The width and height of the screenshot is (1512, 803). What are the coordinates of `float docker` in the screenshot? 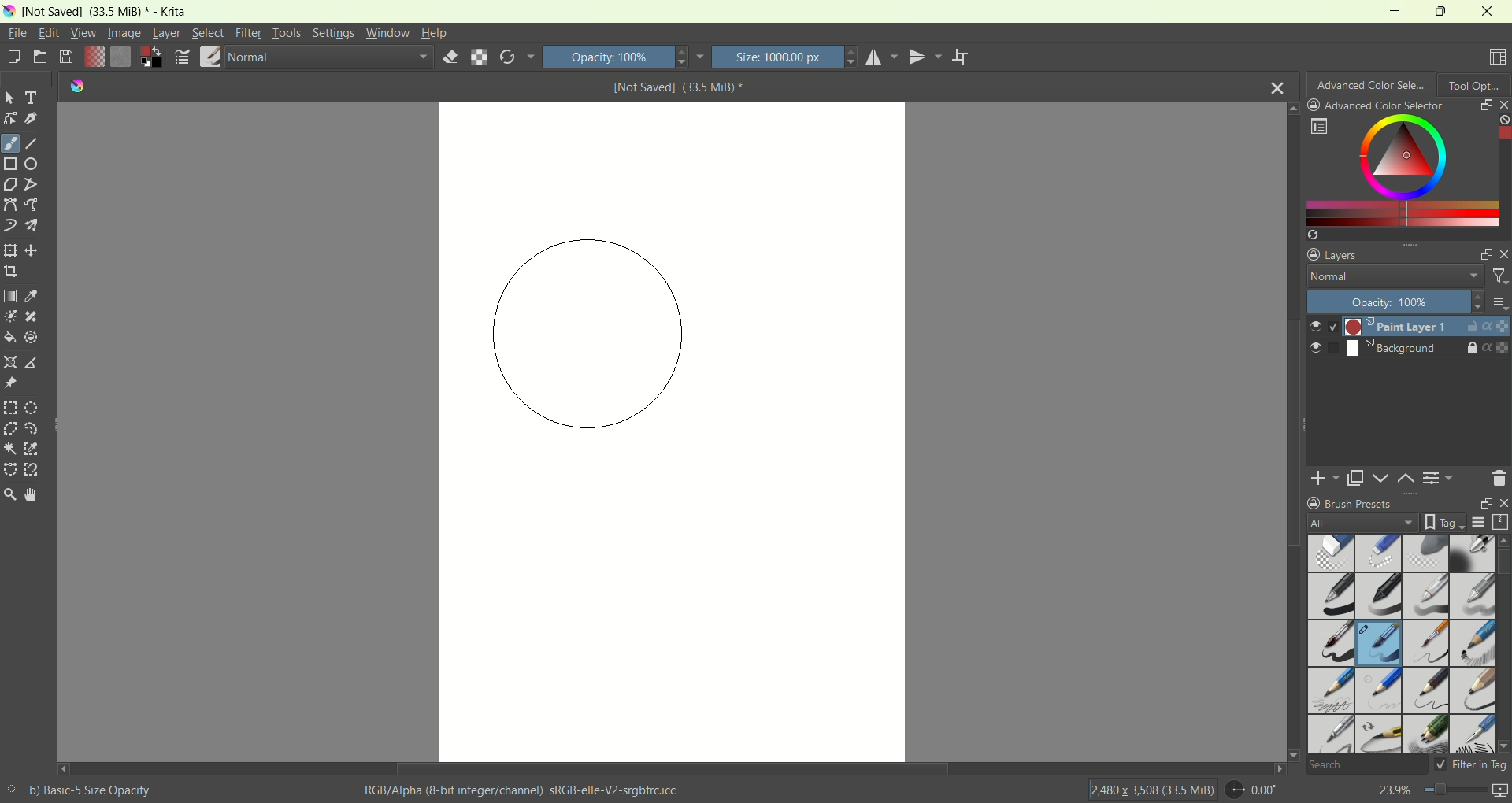 It's located at (1484, 255).